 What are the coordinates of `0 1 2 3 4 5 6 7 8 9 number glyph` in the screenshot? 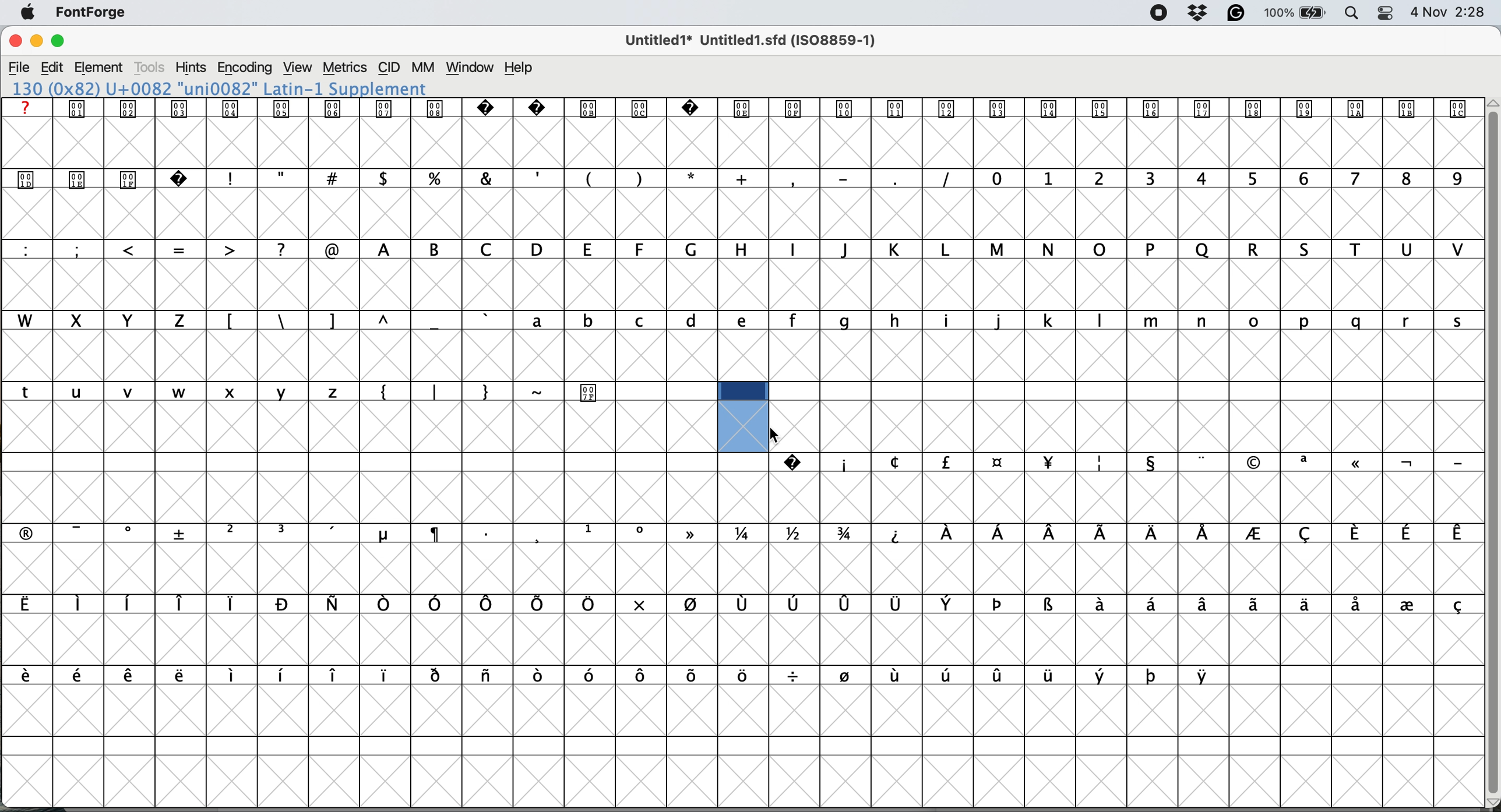 It's located at (1225, 179).